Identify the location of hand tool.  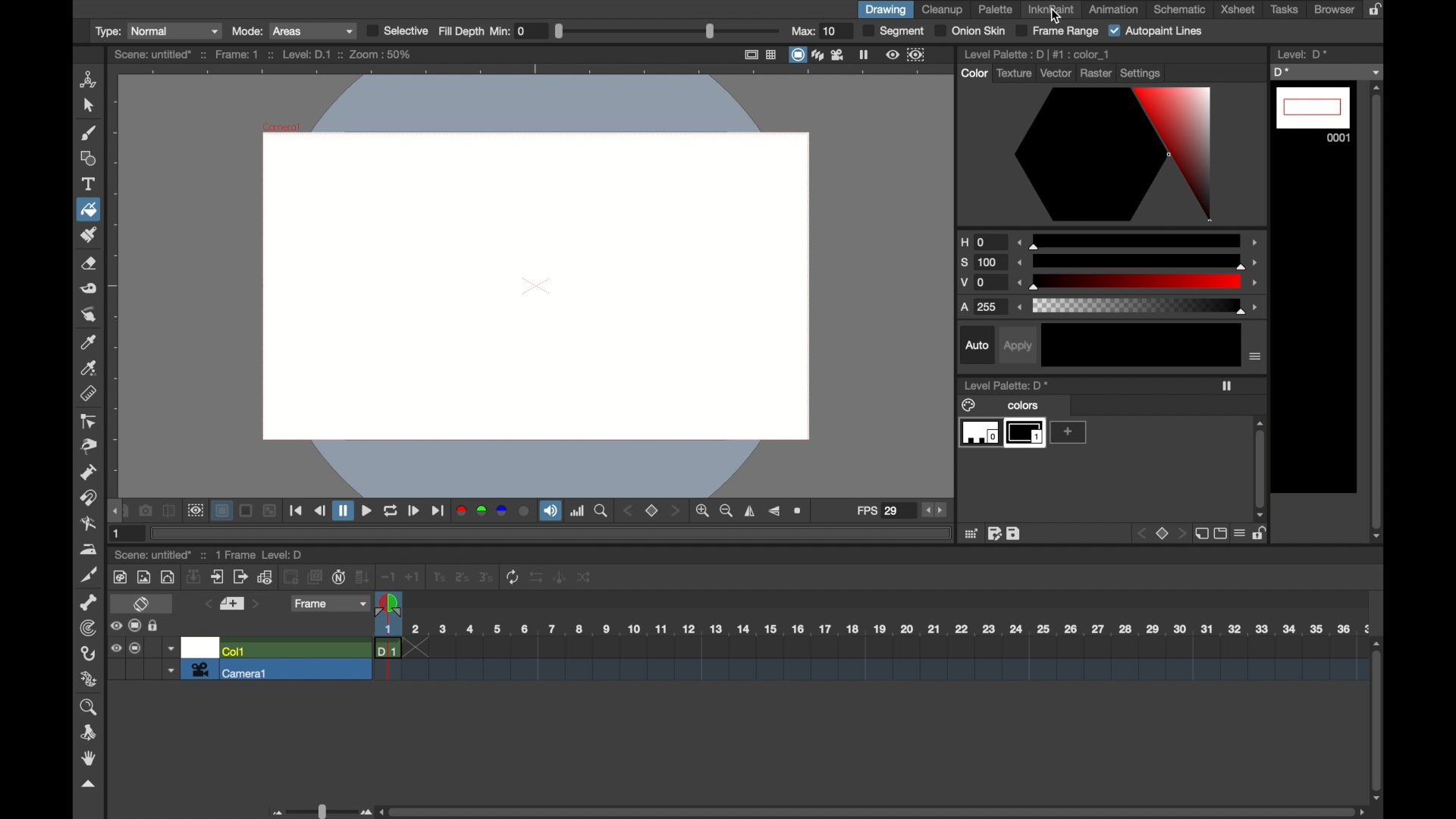
(90, 758).